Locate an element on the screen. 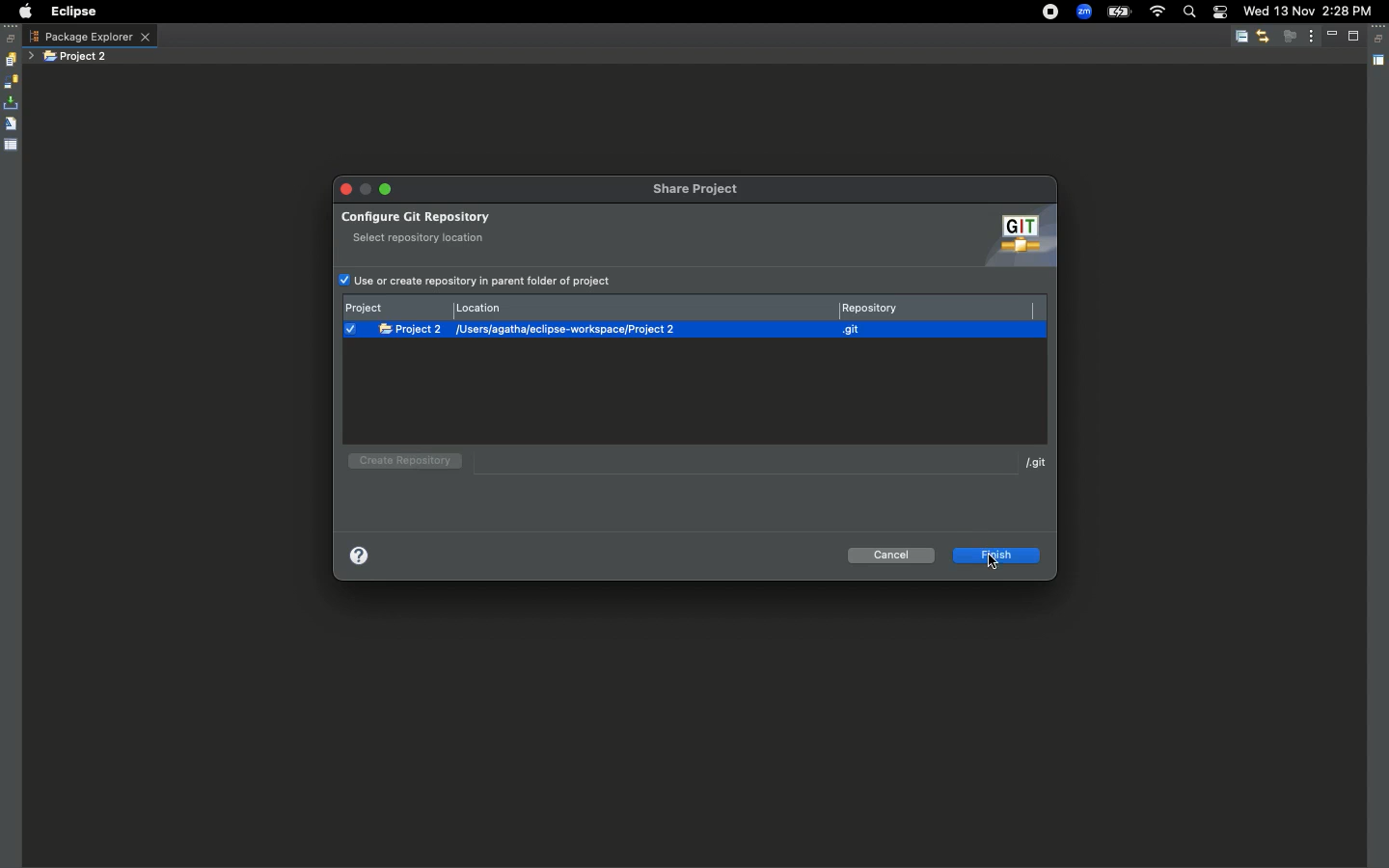  Synchronize is located at coordinates (11, 82).